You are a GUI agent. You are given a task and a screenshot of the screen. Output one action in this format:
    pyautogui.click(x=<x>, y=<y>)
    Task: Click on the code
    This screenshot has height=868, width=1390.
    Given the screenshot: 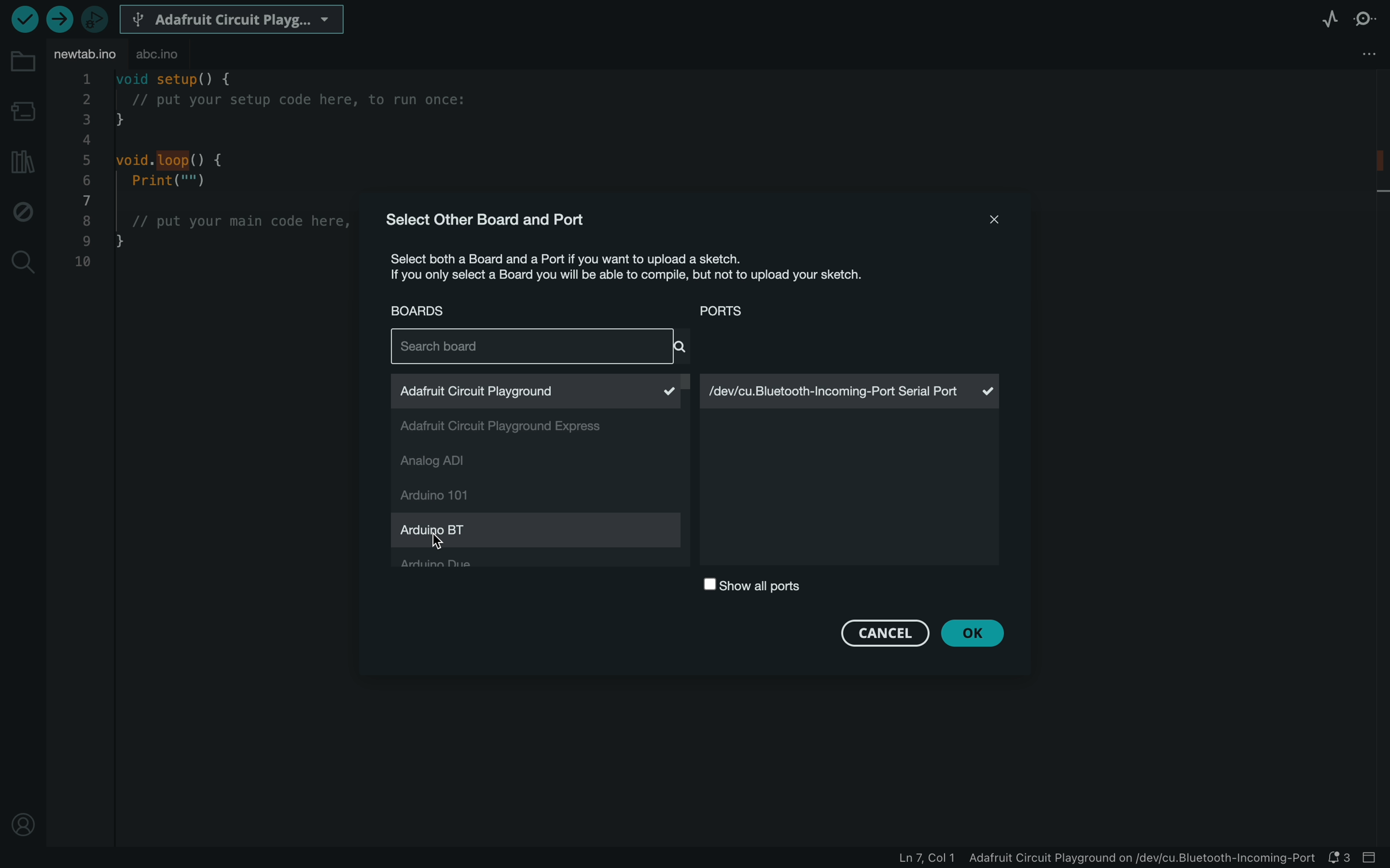 What is the action you would take?
    pyautogui.click(x=214, y=177)
    